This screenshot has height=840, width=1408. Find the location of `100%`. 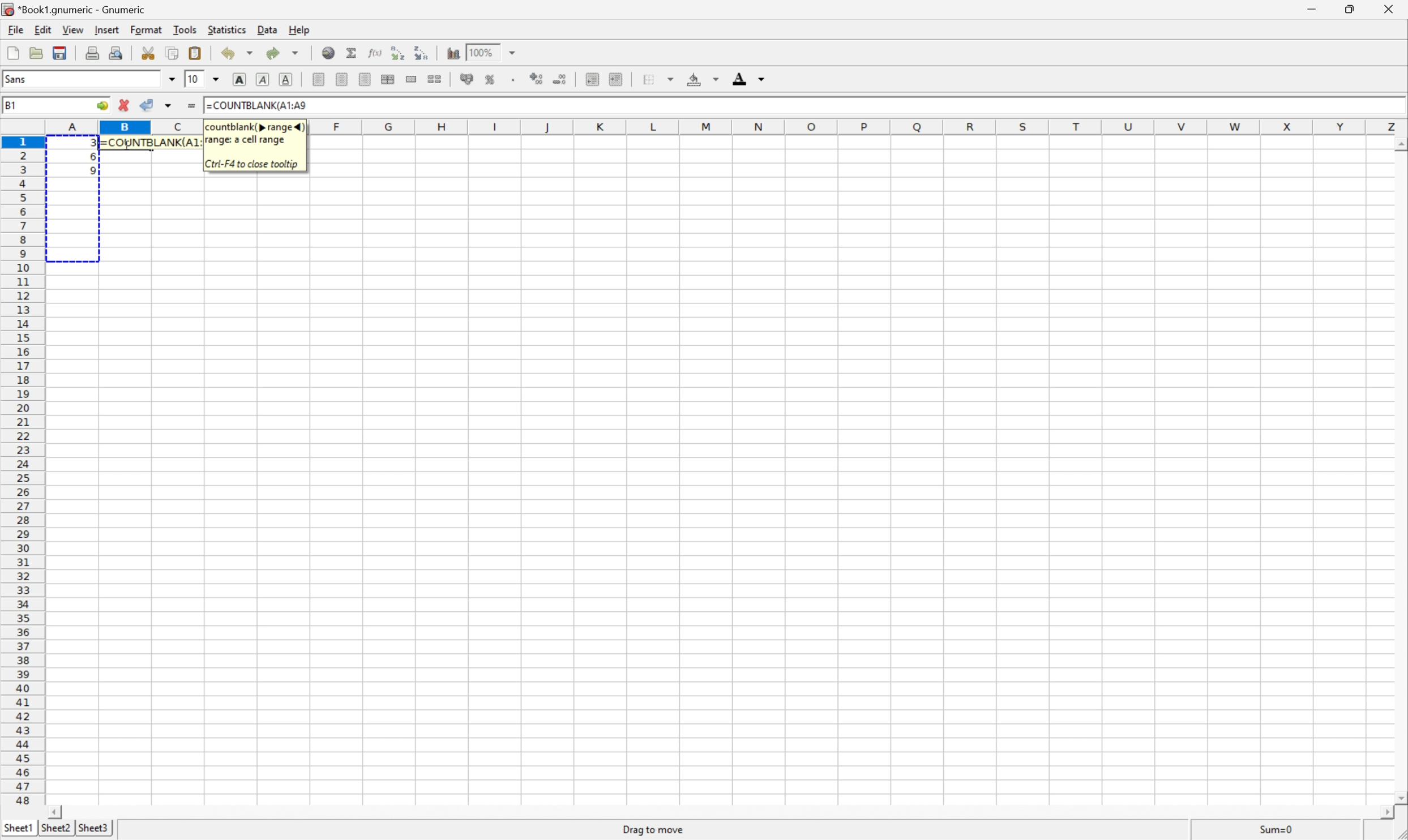

100% is located at coordinates (485, 52).